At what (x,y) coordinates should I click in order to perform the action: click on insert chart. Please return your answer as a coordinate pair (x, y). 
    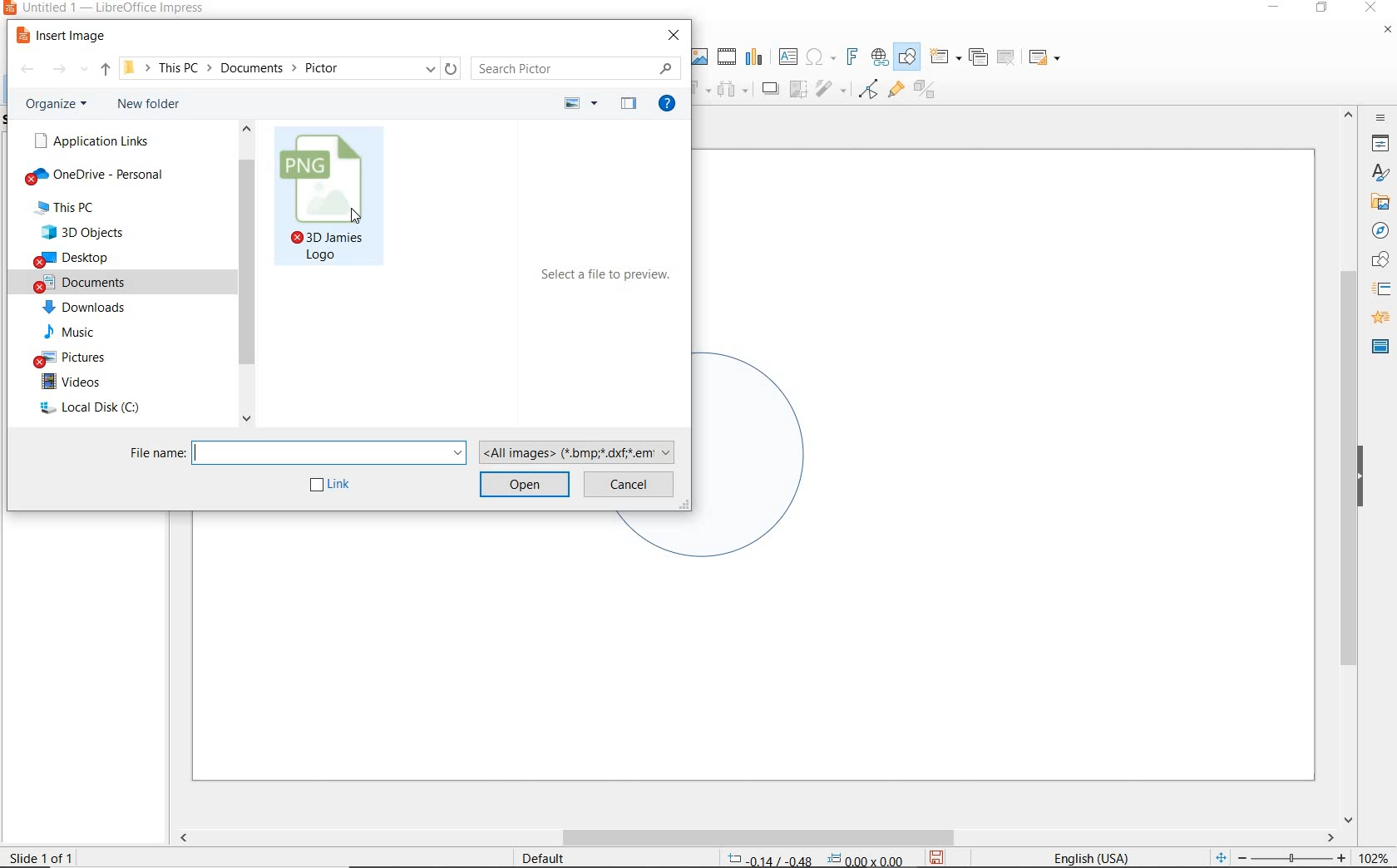
    Looking at the image, I should click on (754, 57).